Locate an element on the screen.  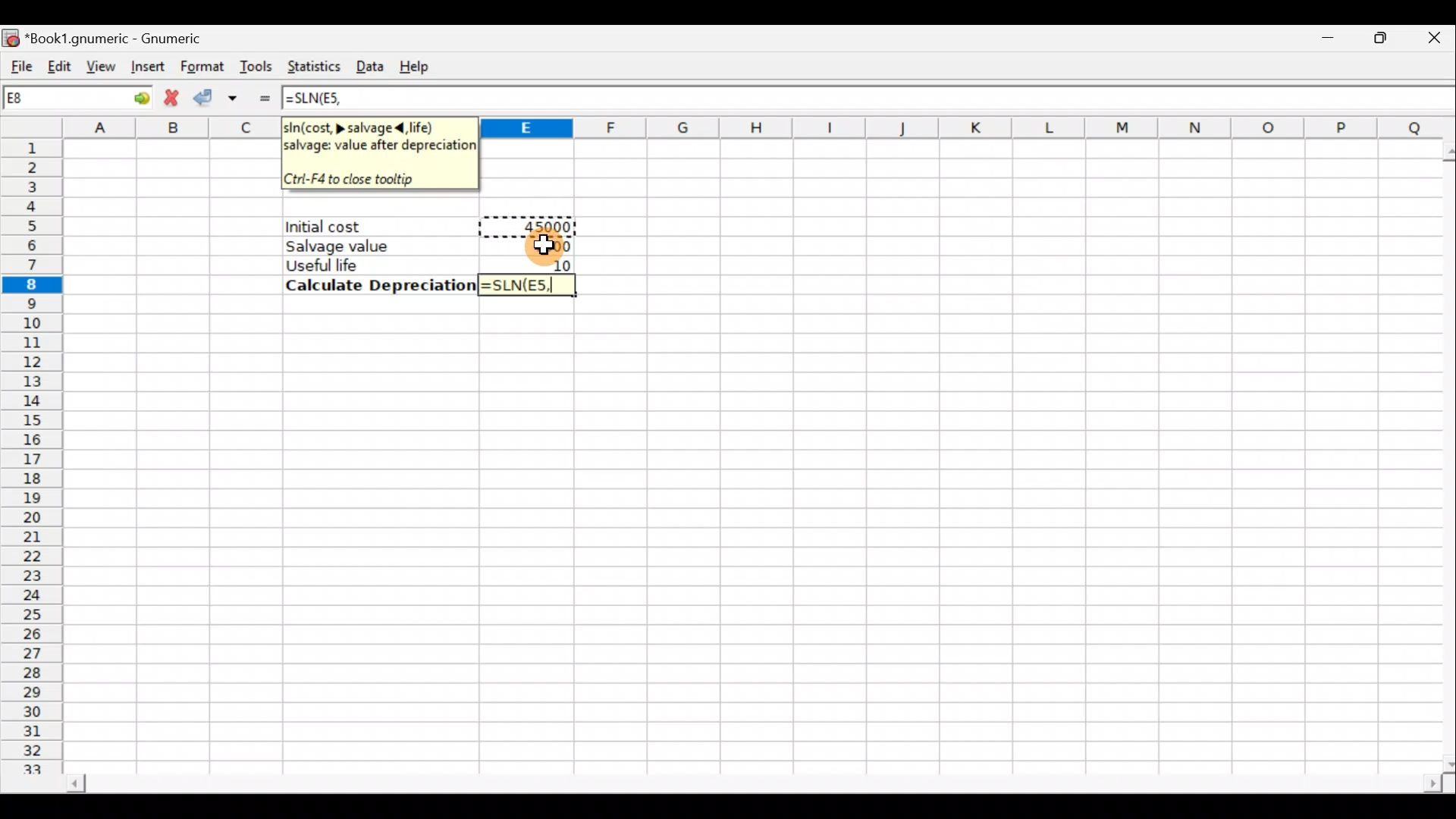
Columns is located at coordinates (963, 128).